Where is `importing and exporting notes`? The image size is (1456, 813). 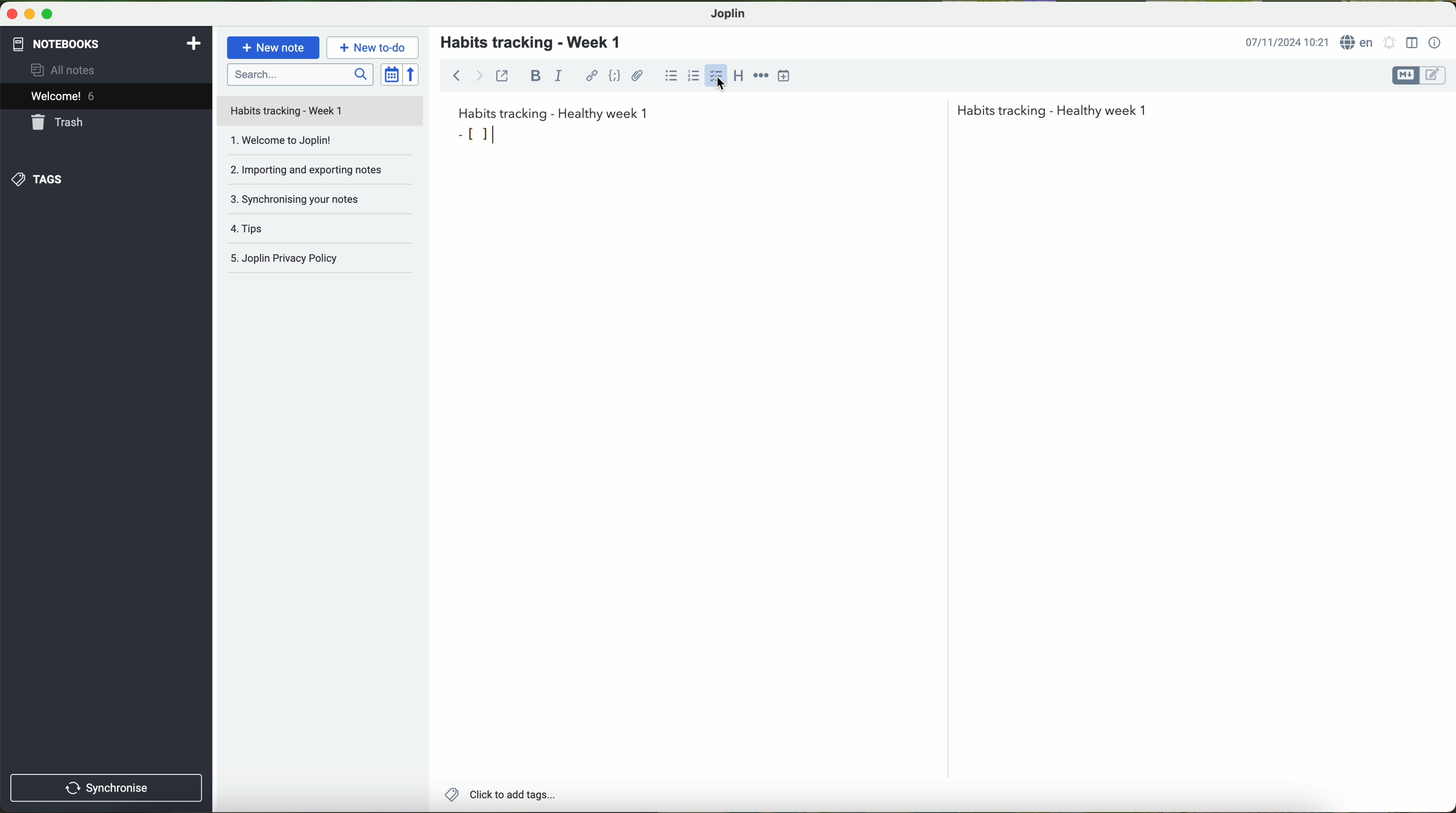 importing and exporting notes is located at coordinates (319, 174).